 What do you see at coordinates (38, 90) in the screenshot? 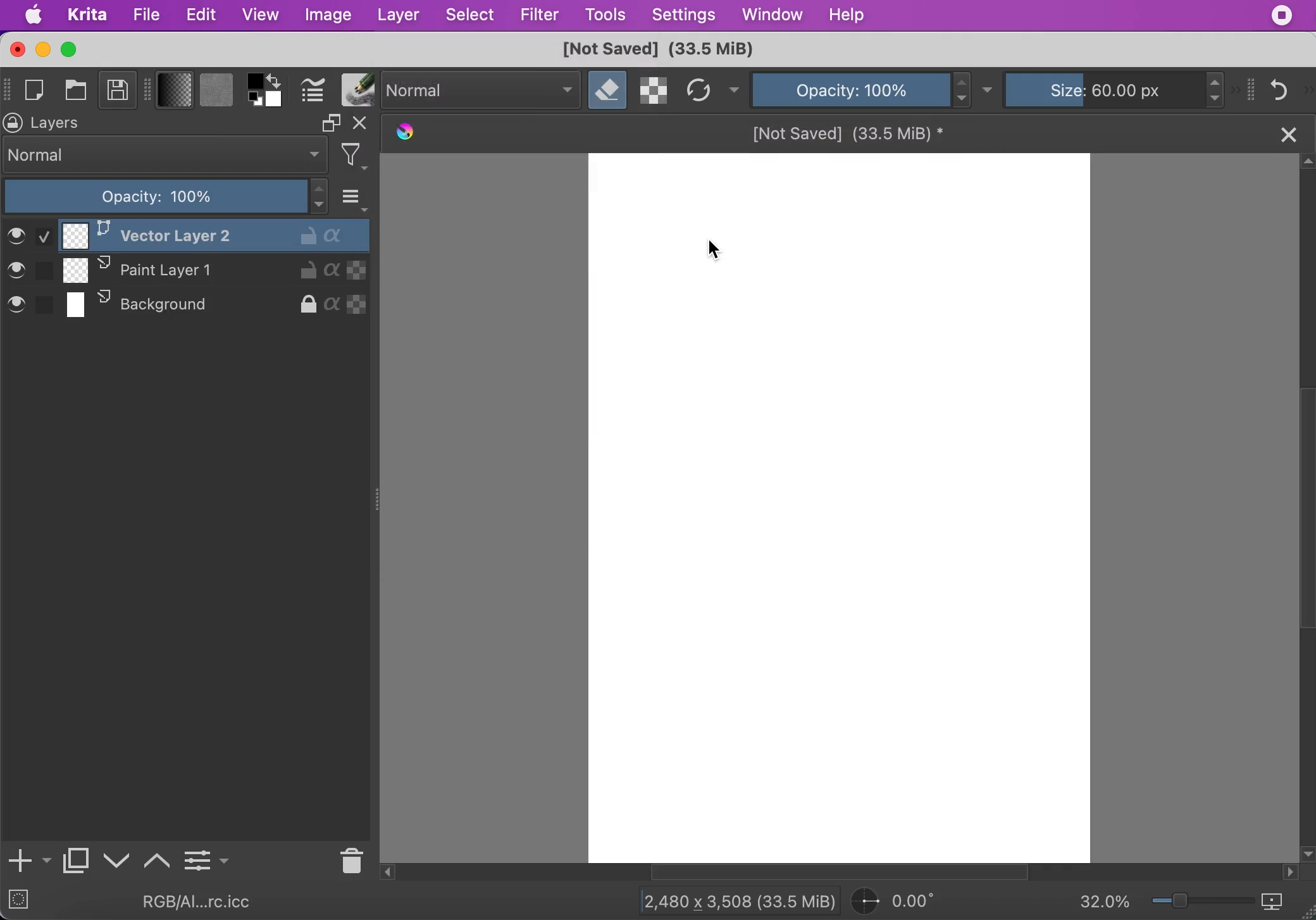
I see `create a new document` at bounding box center [38, 90].